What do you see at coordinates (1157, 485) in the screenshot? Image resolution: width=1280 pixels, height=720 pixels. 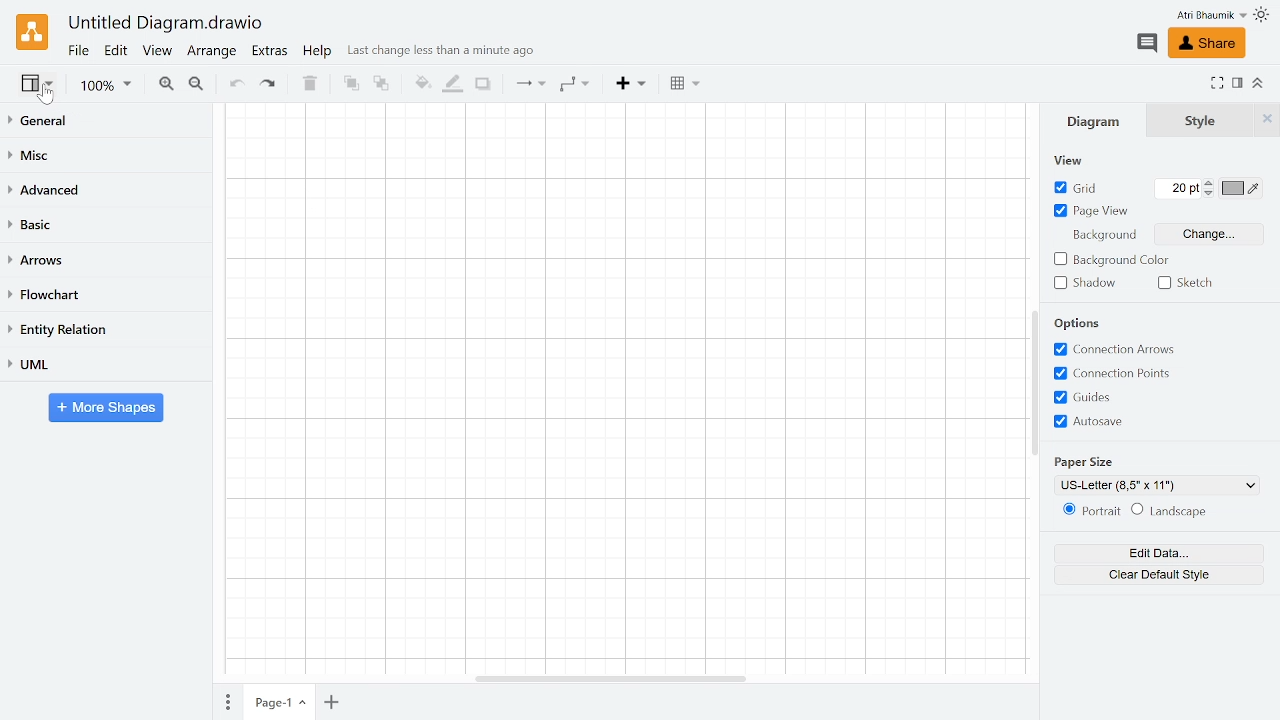 I see `Current paper size` at bounding box center [1157, 485].